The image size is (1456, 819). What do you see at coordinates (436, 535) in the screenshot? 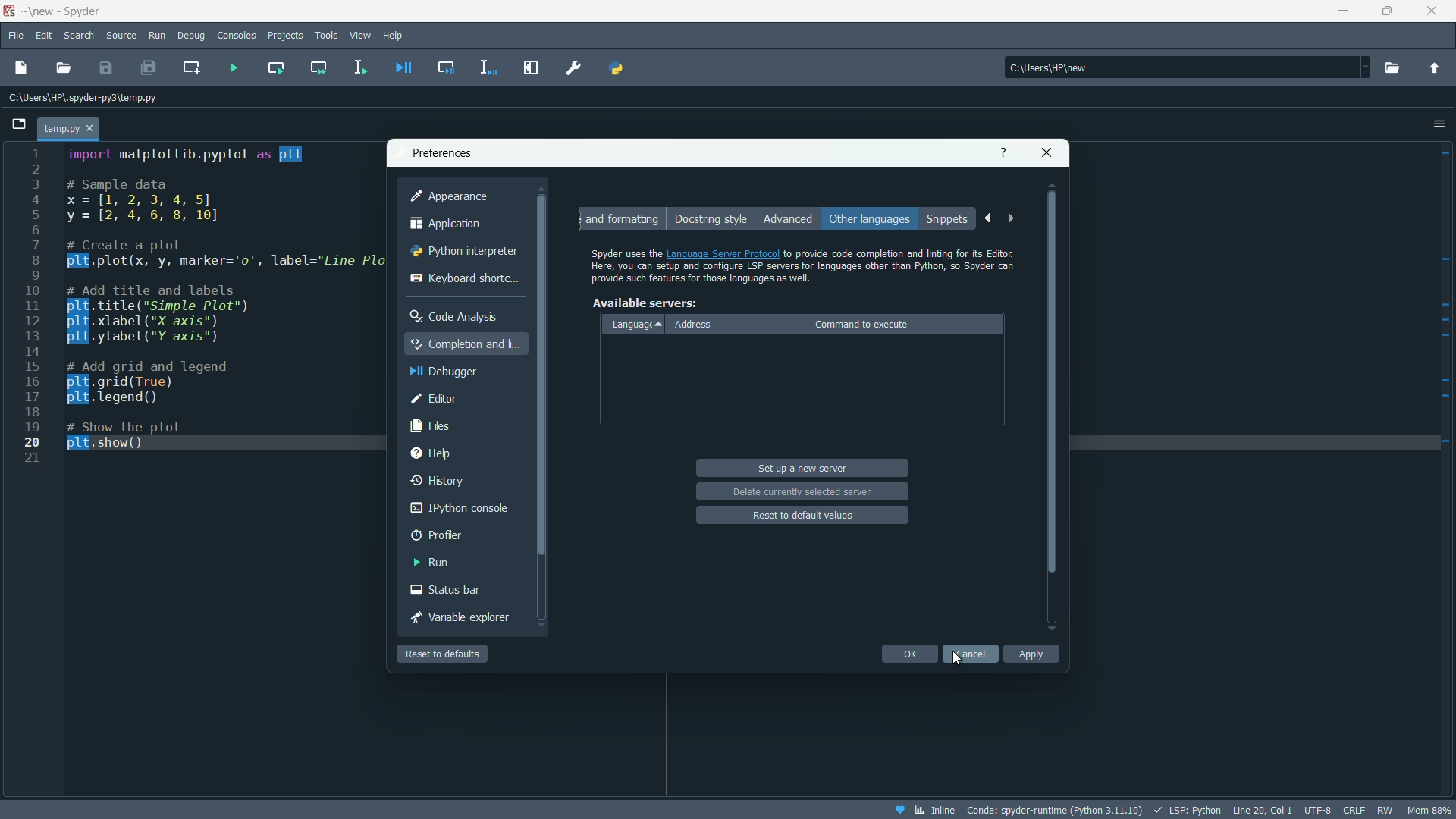
I see `profiler` at bounding box center [436, 535].